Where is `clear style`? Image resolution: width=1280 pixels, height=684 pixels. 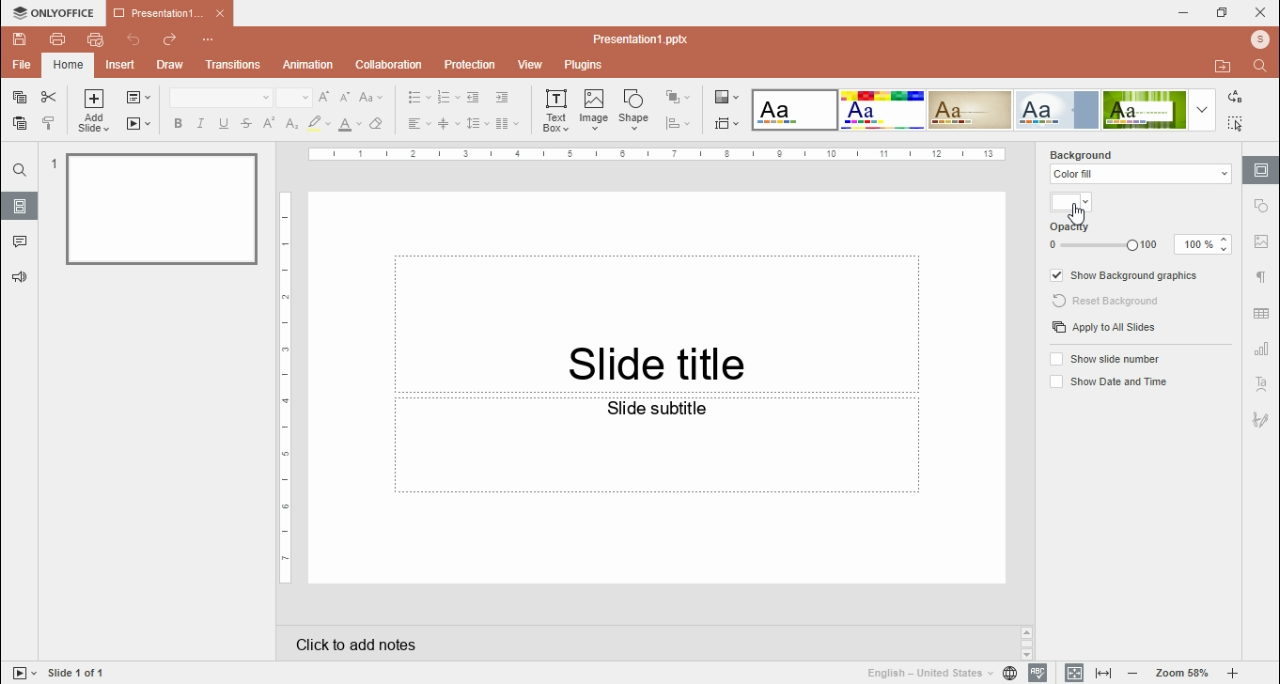
clear style is located at coordinates (376, 124).